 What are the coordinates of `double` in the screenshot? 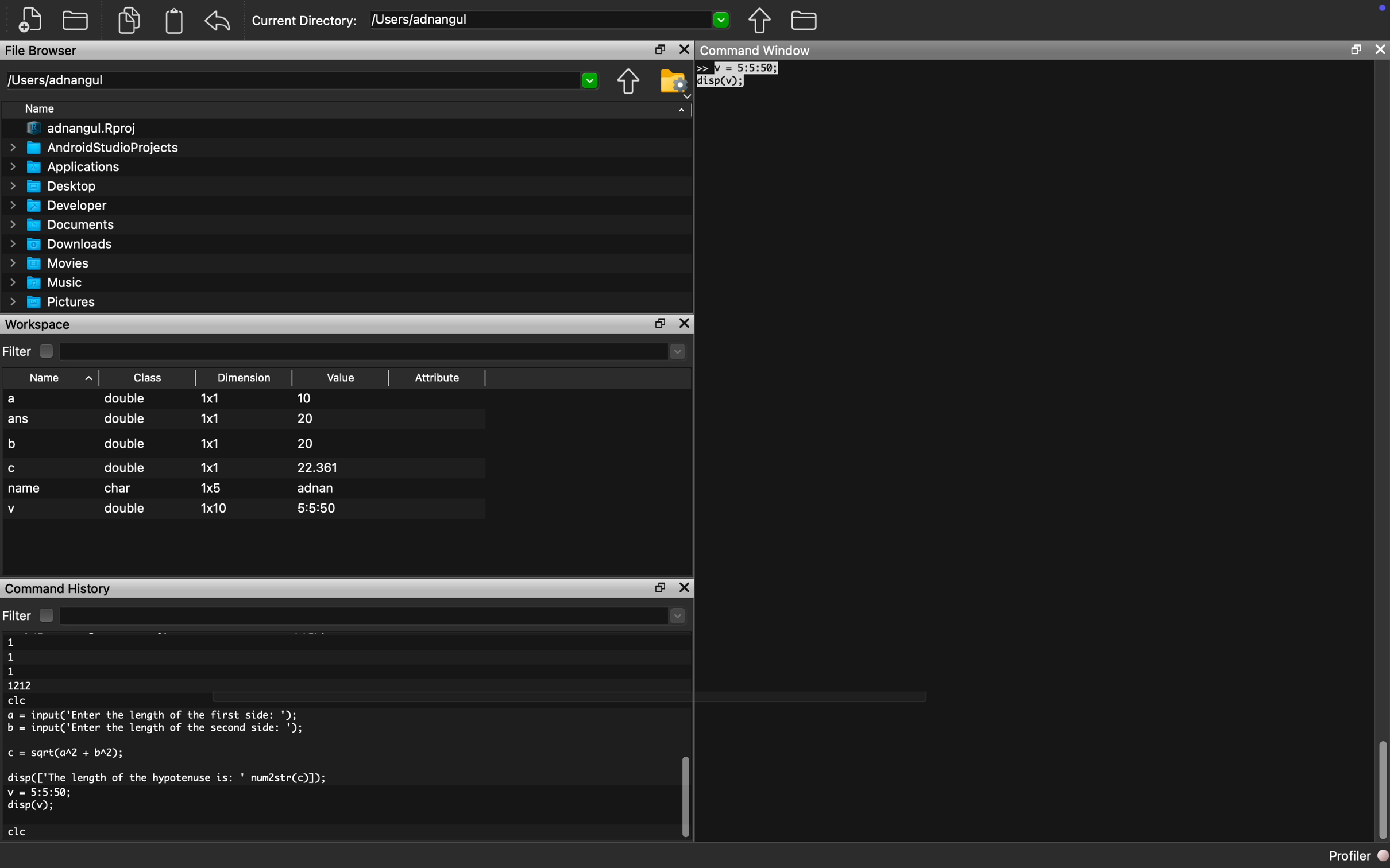 It's located at (126, 509).